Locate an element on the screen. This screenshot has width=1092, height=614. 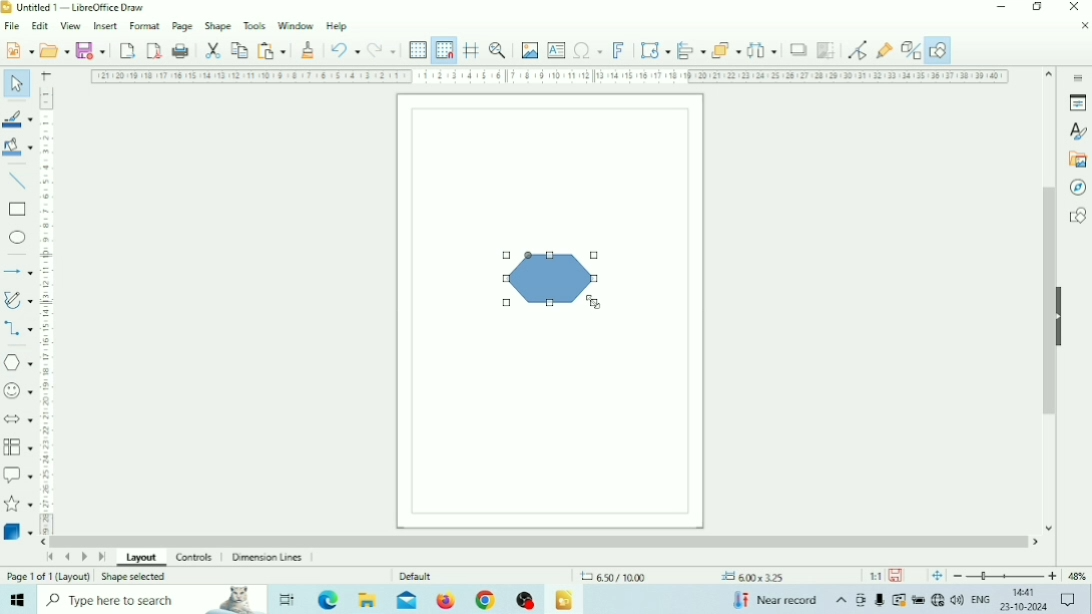
Mail is located at coordinates (407, 600).